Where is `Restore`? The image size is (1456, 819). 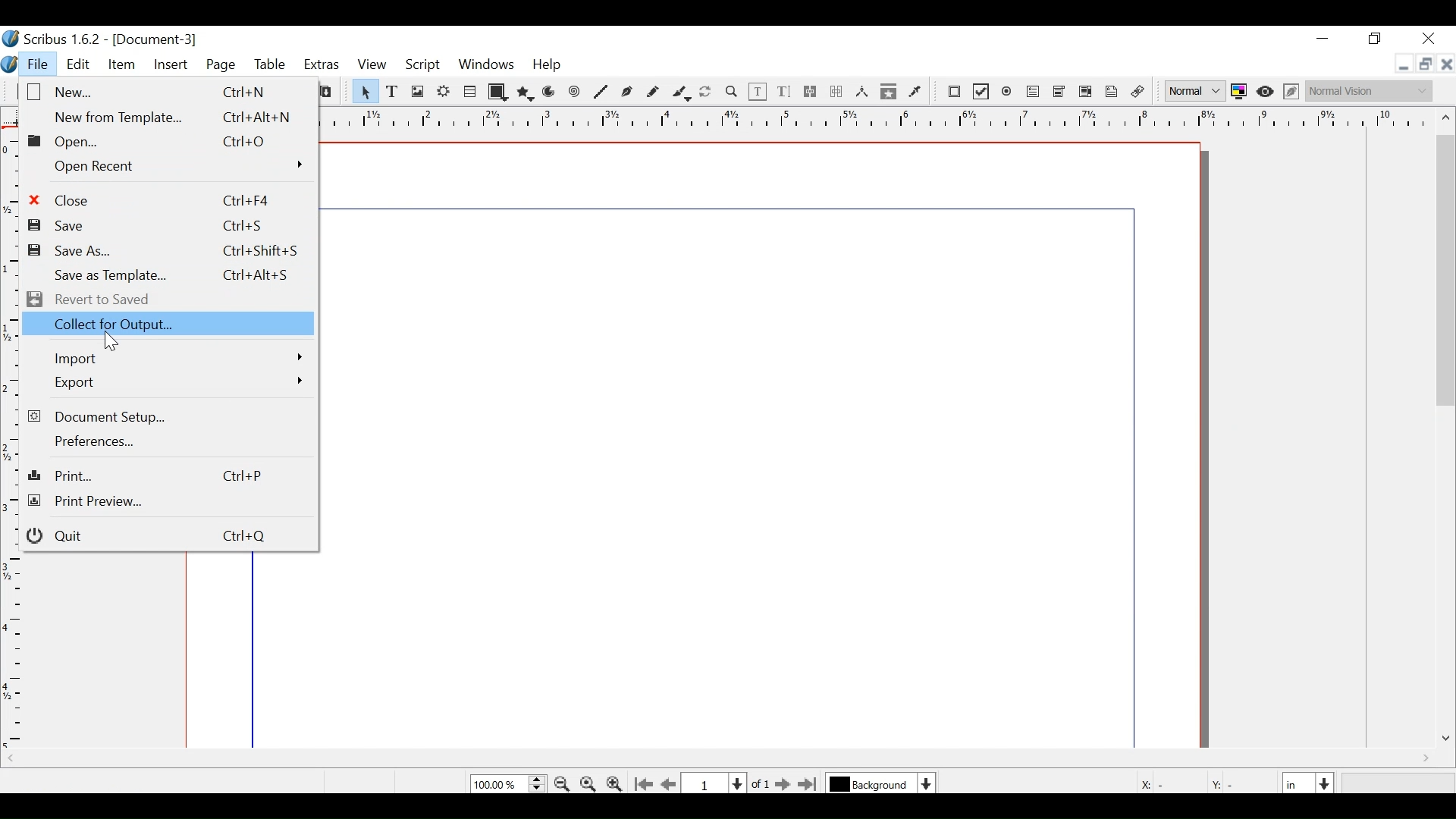
Restore is located at coordinates (1423, 64).